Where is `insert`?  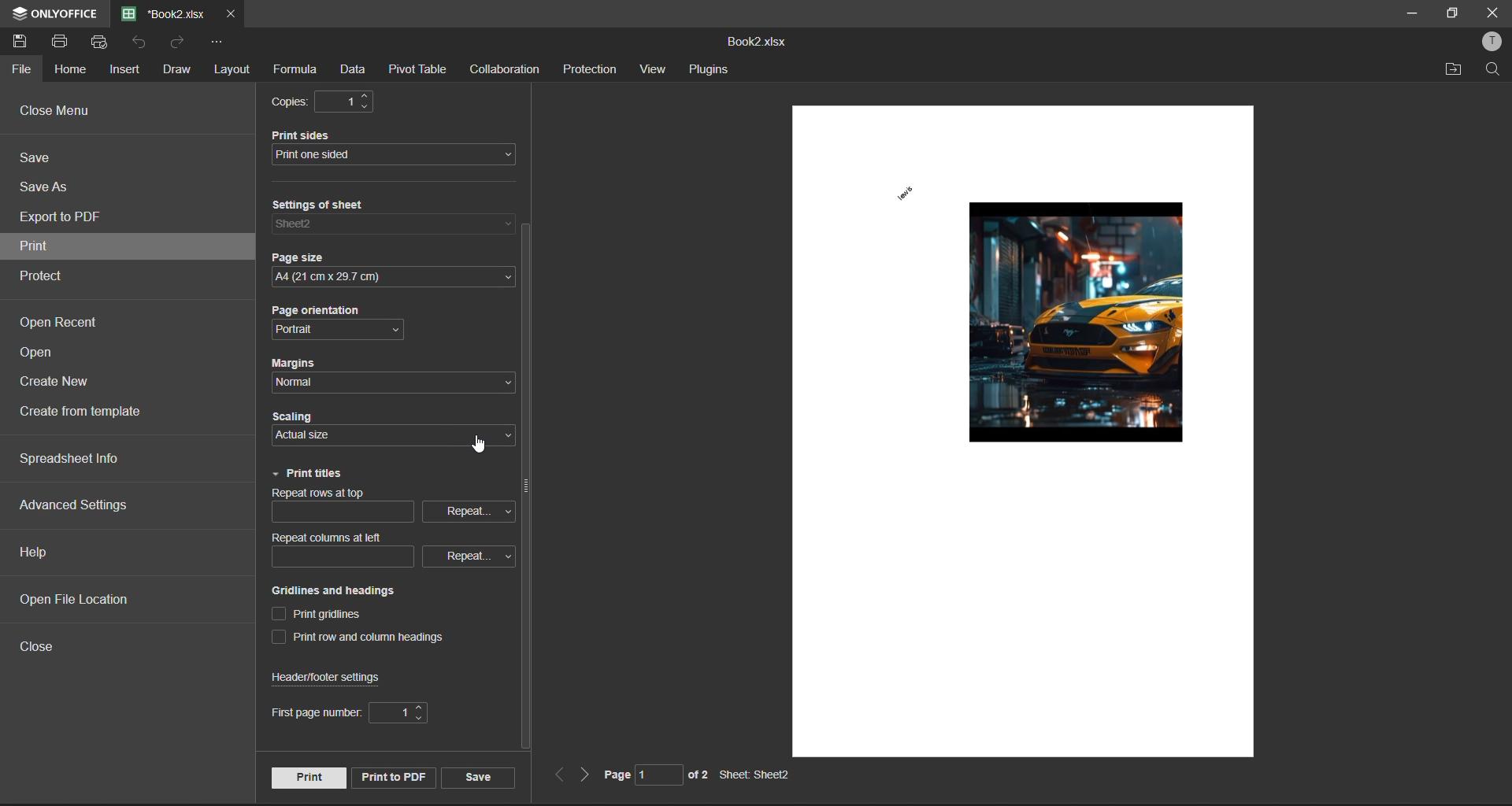 insert is located at coordinates (127, 70).